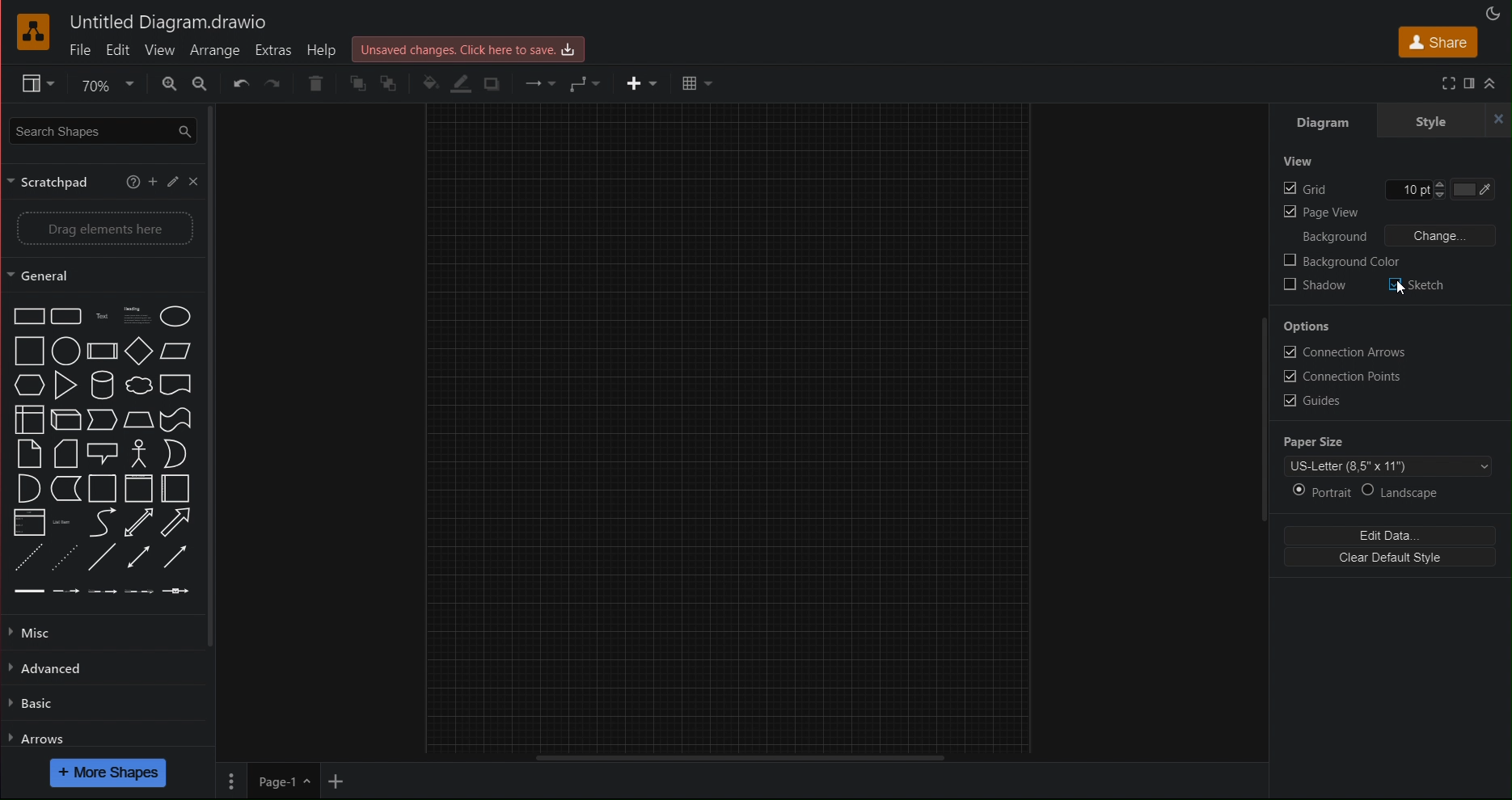  What do you see at coordinates (218, 376) in the screenshot?
I see `scrollbar` at bounding box center [218, 376].